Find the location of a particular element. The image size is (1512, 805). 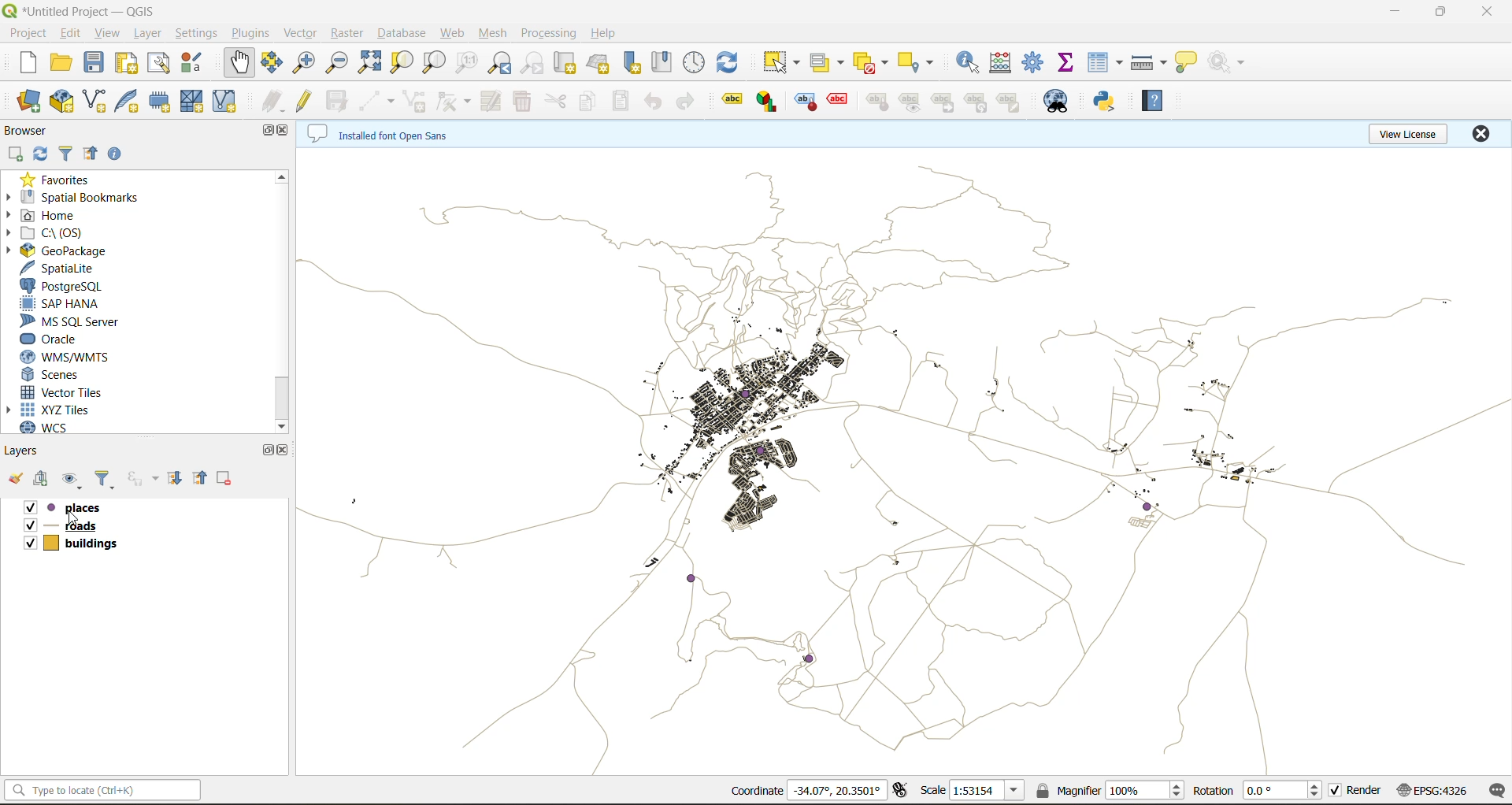

crs is located at coordinates (1430, 791).